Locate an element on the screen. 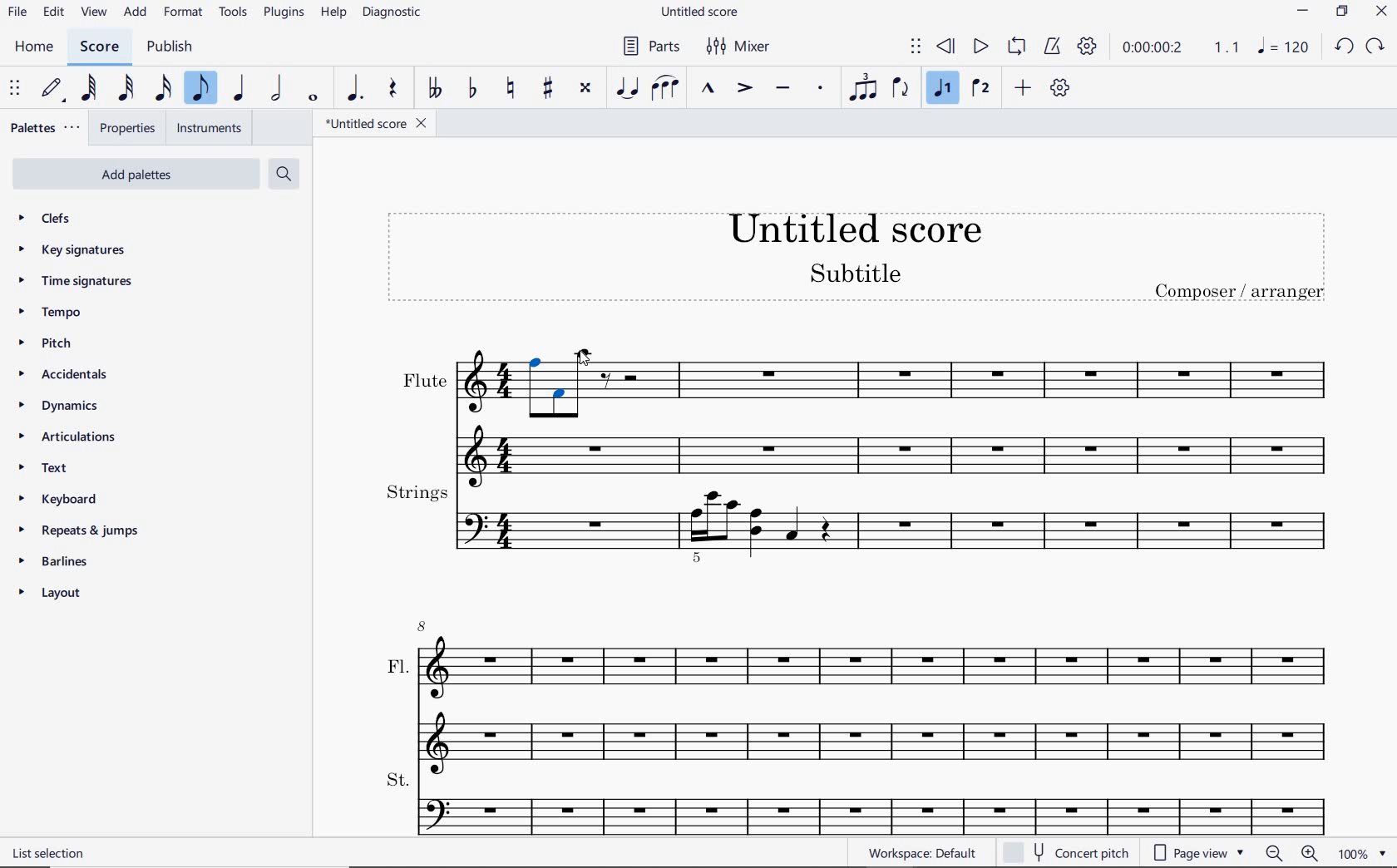  PLAY TIME is located at coordinates (1179, 47).